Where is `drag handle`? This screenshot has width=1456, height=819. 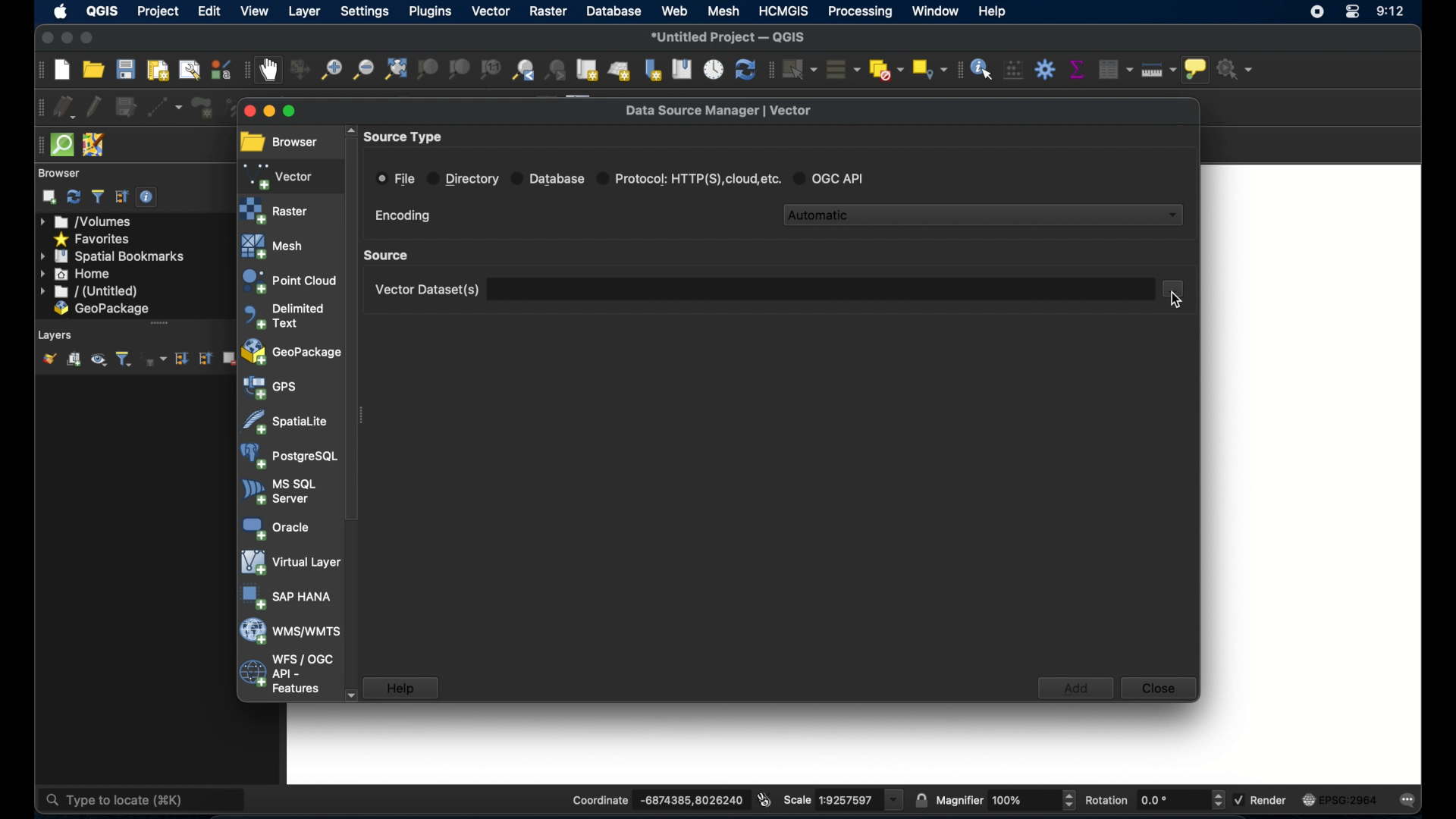
drag handle is located at coordinates (36, 145).